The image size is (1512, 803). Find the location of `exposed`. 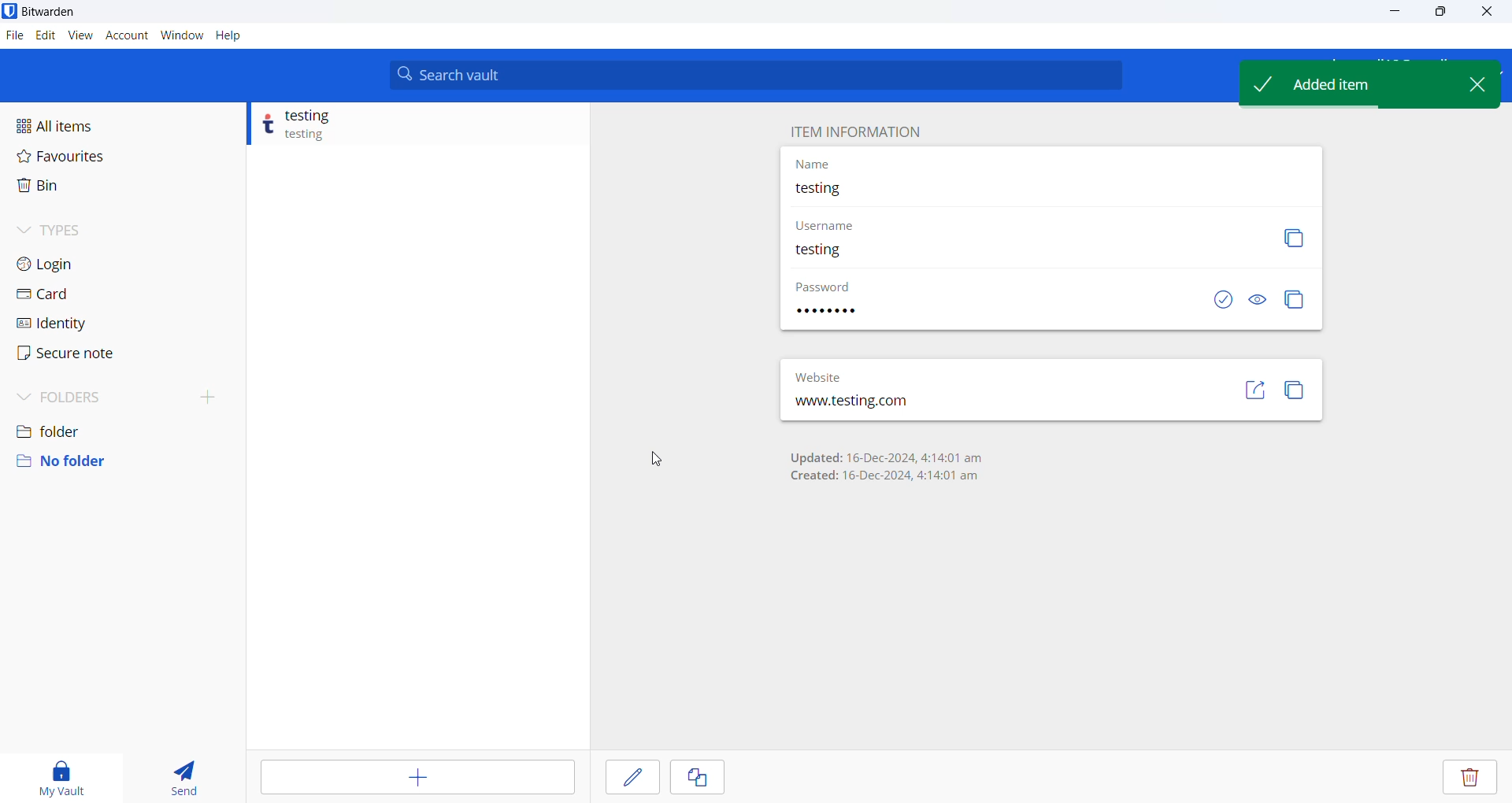

exposed is located at coordinates (1221, 300).